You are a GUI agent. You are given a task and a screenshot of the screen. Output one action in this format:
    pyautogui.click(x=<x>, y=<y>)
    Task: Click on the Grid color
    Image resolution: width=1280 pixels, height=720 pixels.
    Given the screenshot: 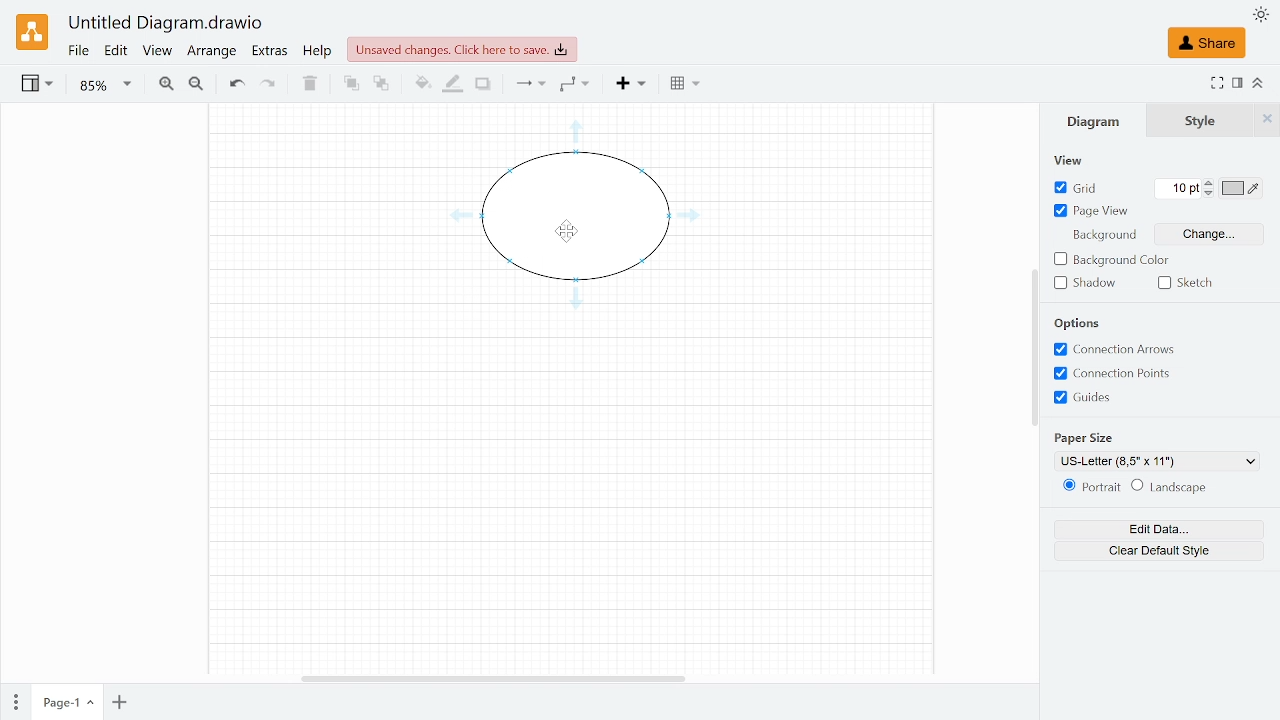 What is the action you would take?
    pyautogui.click(x=1240, y=189)
    